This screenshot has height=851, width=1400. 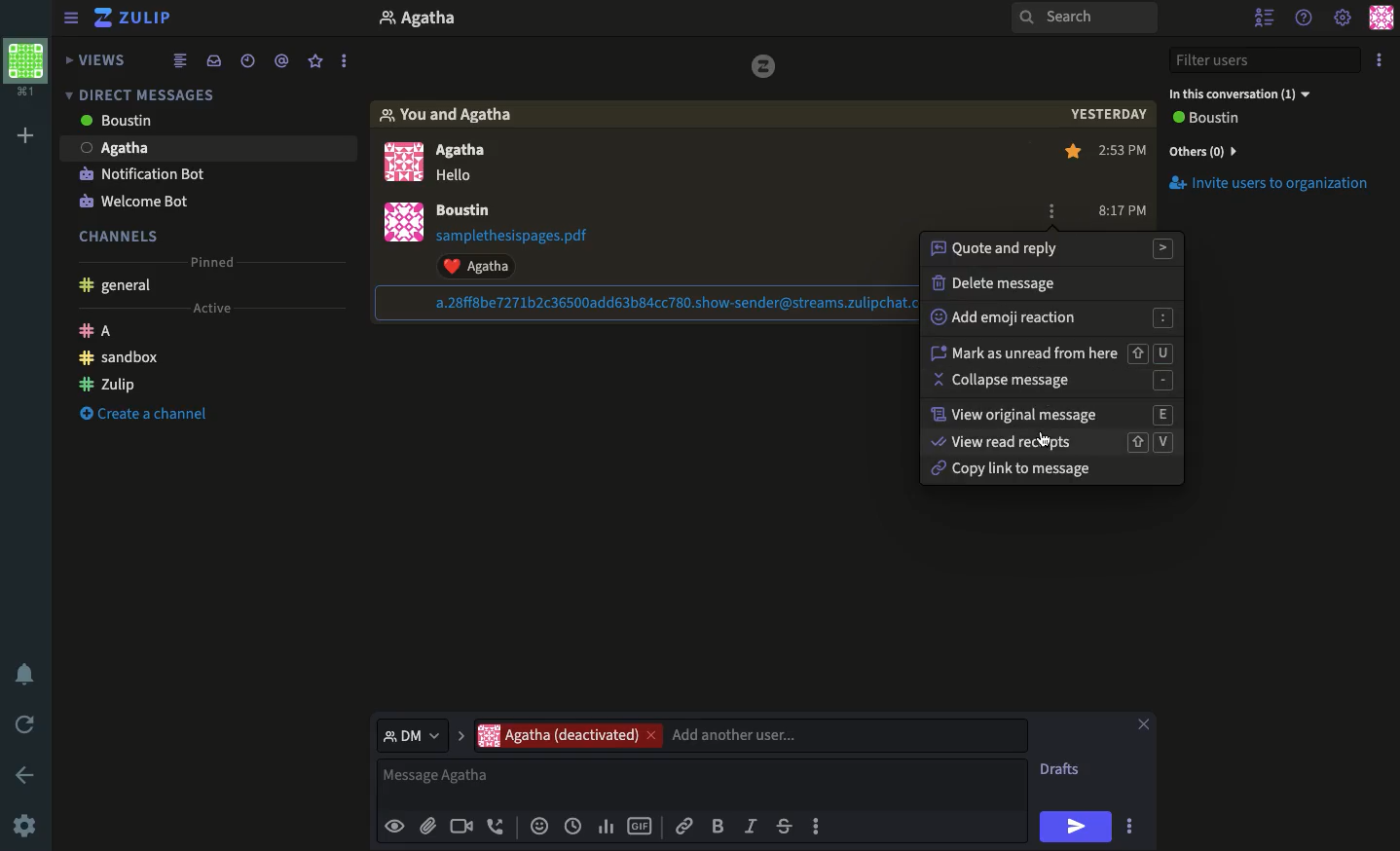 What do you see at coordinates (183, 59) in the screenshot?
I see `Feed` at bounding box center [183, 59].